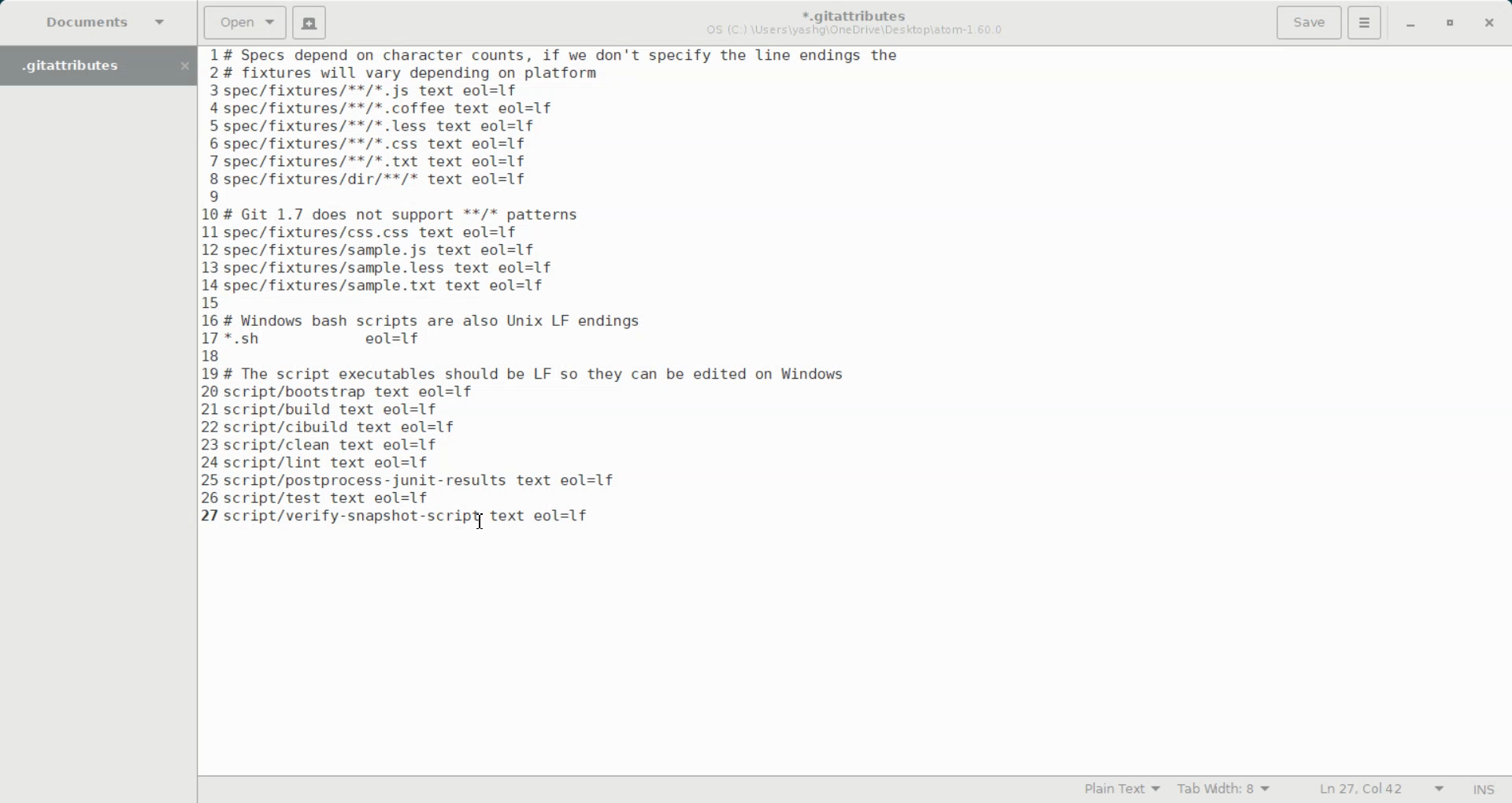 The image size is (1512, 803). Describe the element at coordinates (82, 65) in the screenshot. I see `Folder` at that location.